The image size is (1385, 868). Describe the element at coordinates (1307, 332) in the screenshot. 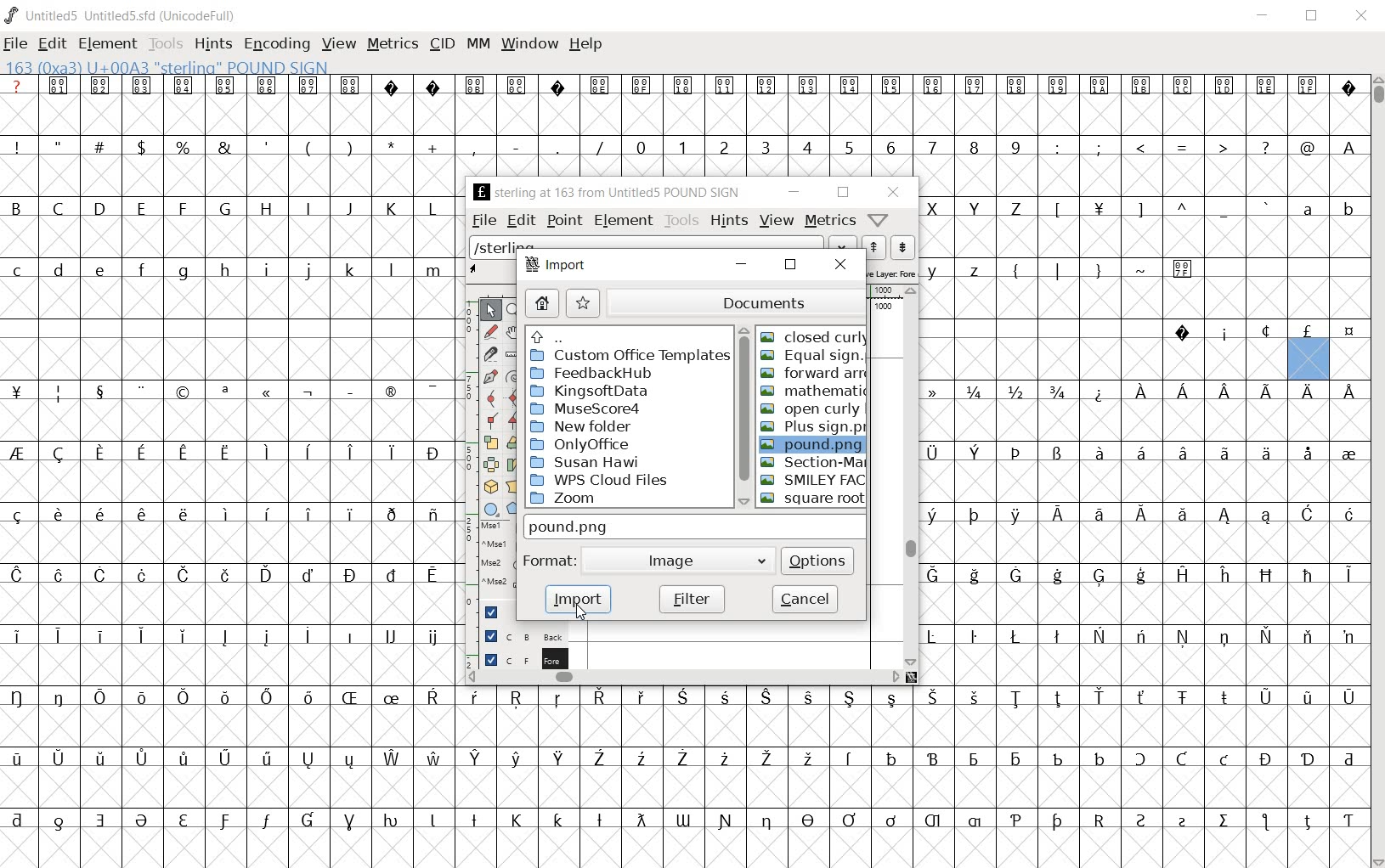

I see `Symbol` at that location.